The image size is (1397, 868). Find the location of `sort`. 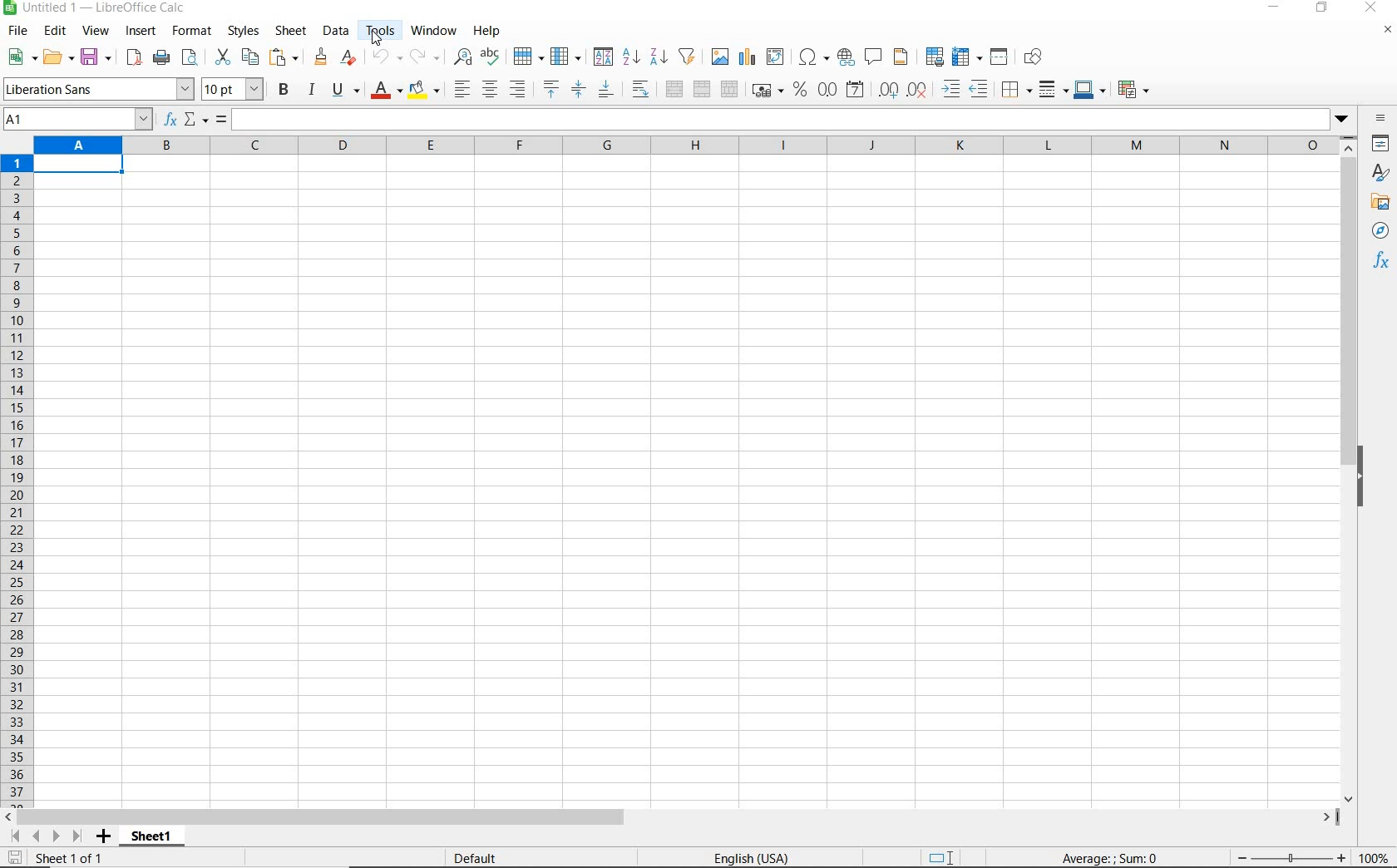

sort is located at coordinates (605, 57).